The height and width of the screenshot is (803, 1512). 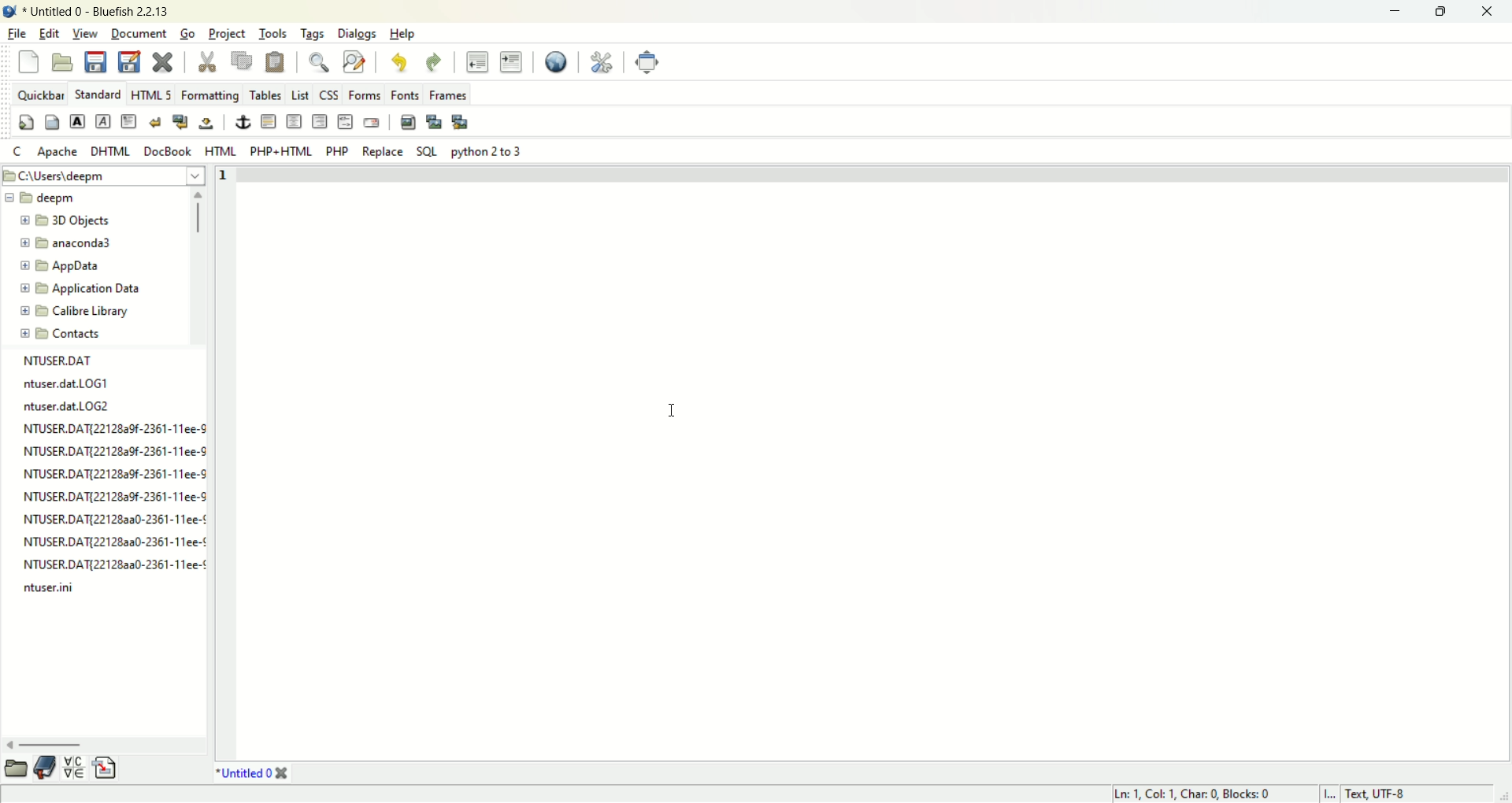 What do you see at coordinates (403, 34) in the screenshot?
I see `help` at bounding box center [403, 34].